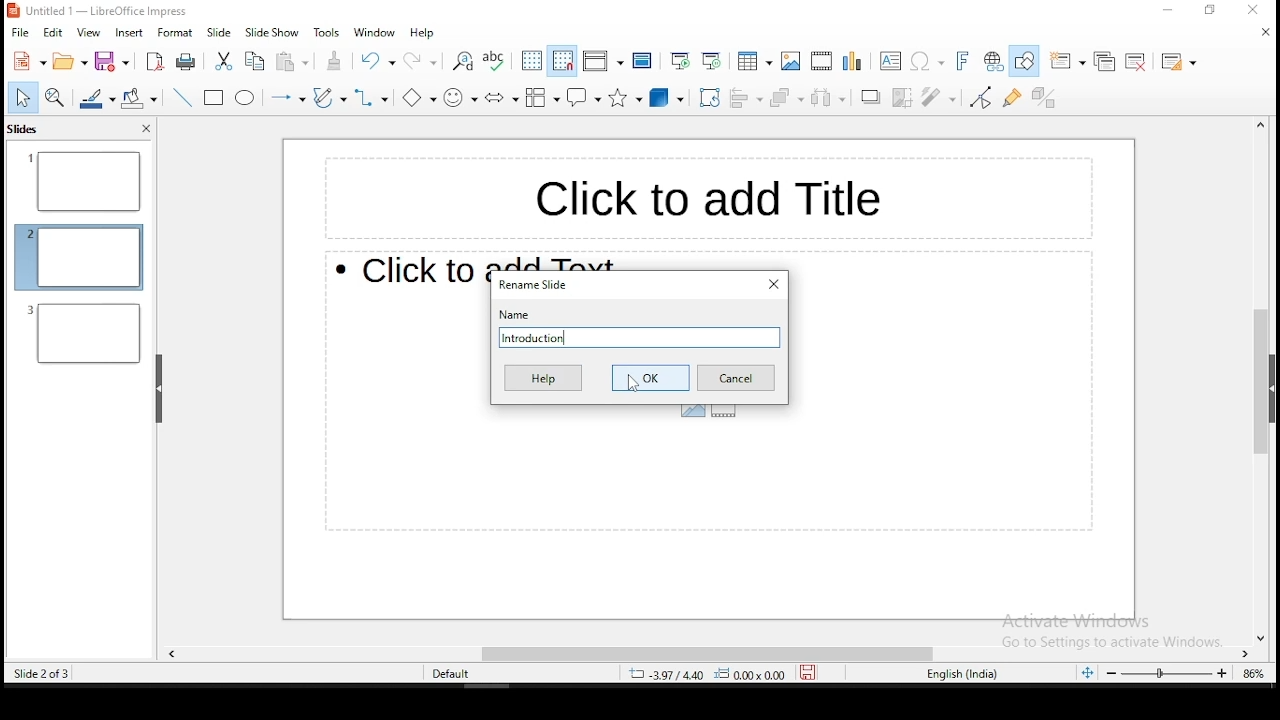 This screenshot has width=1280, height=720. Describe the element at coordinates (788, 98) in the screenshot. I see `arrange` at that location.